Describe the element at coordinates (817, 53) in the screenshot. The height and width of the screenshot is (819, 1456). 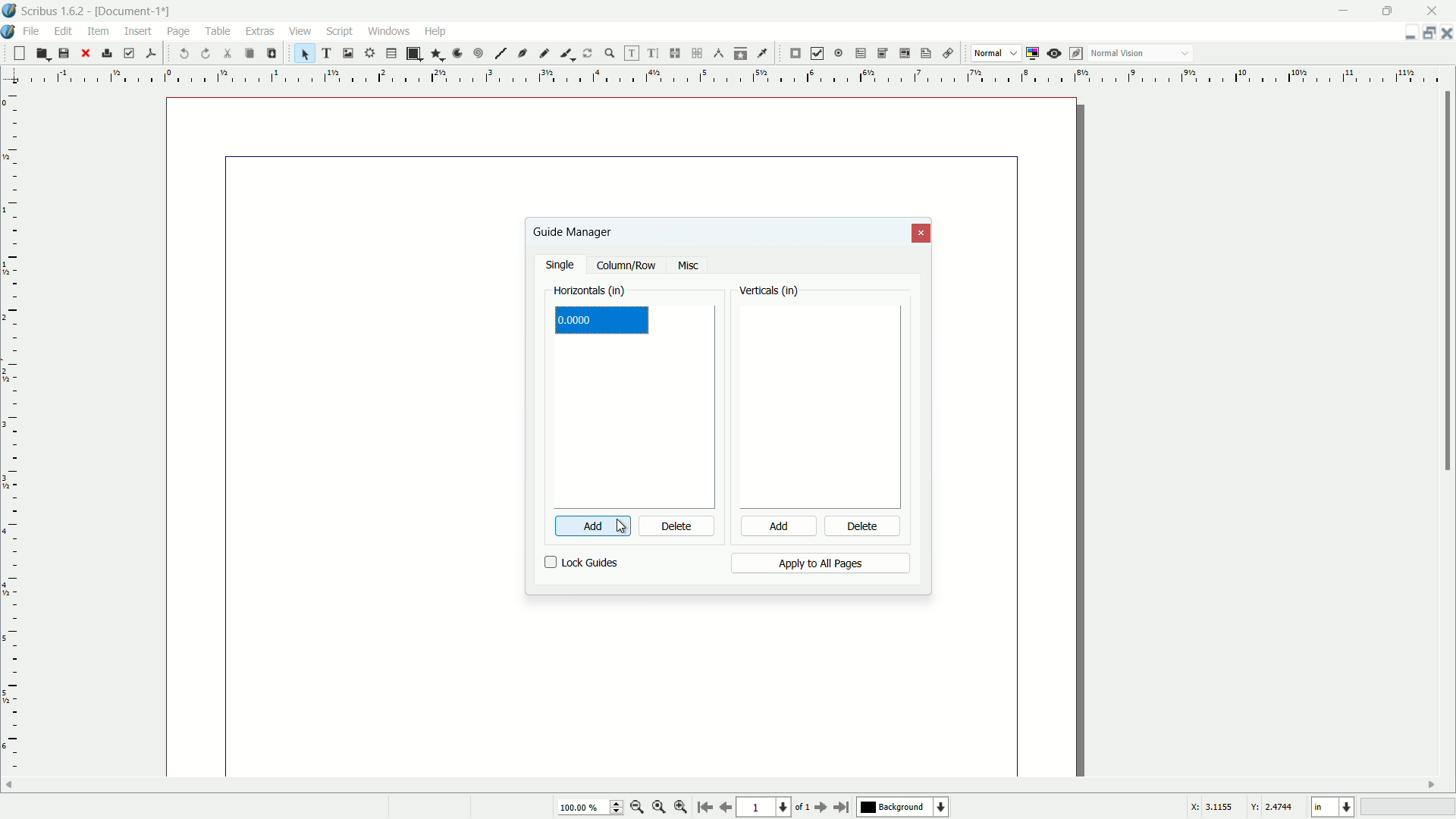
I see `pdf check box` at that location.